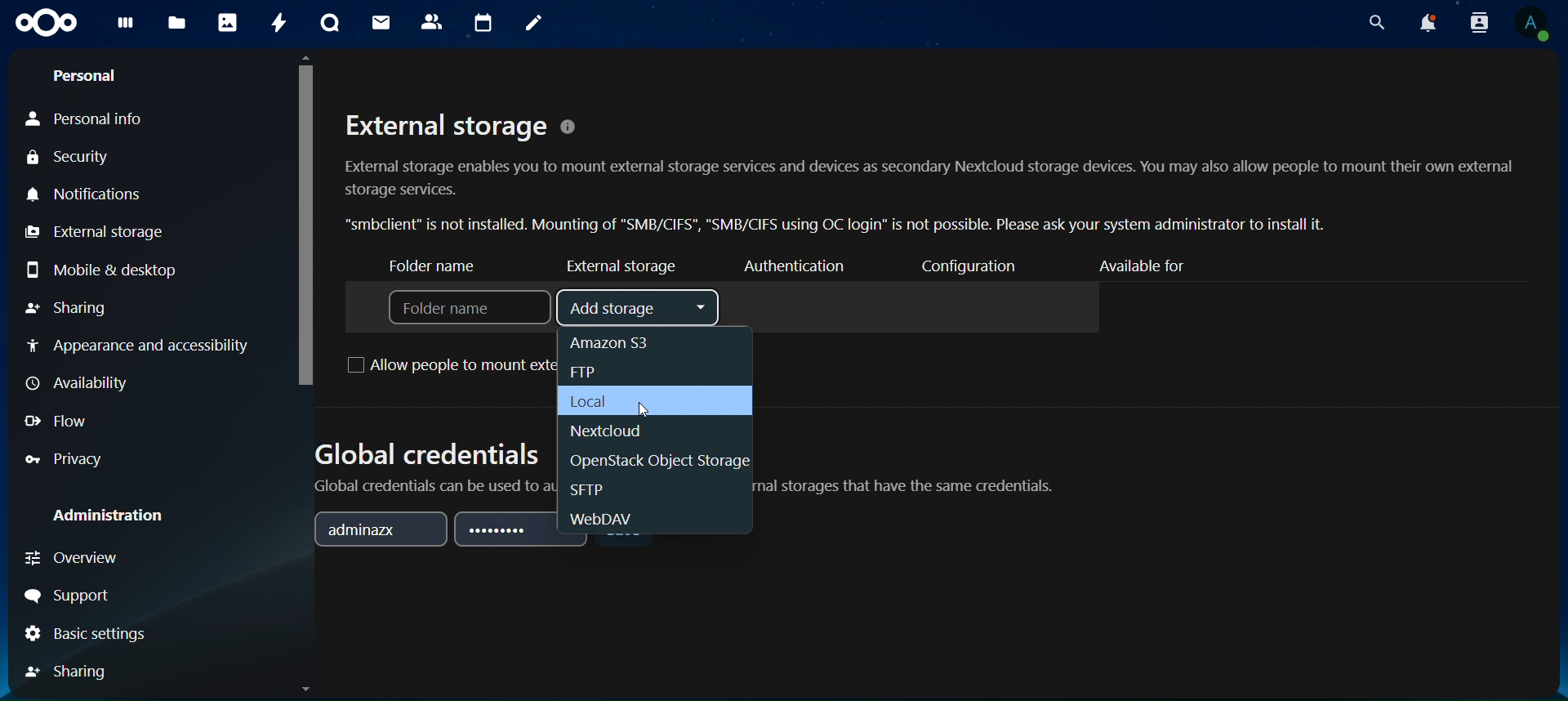 This screenshot has width=1568, height=701. I want to click on flow, so click(60, 422).